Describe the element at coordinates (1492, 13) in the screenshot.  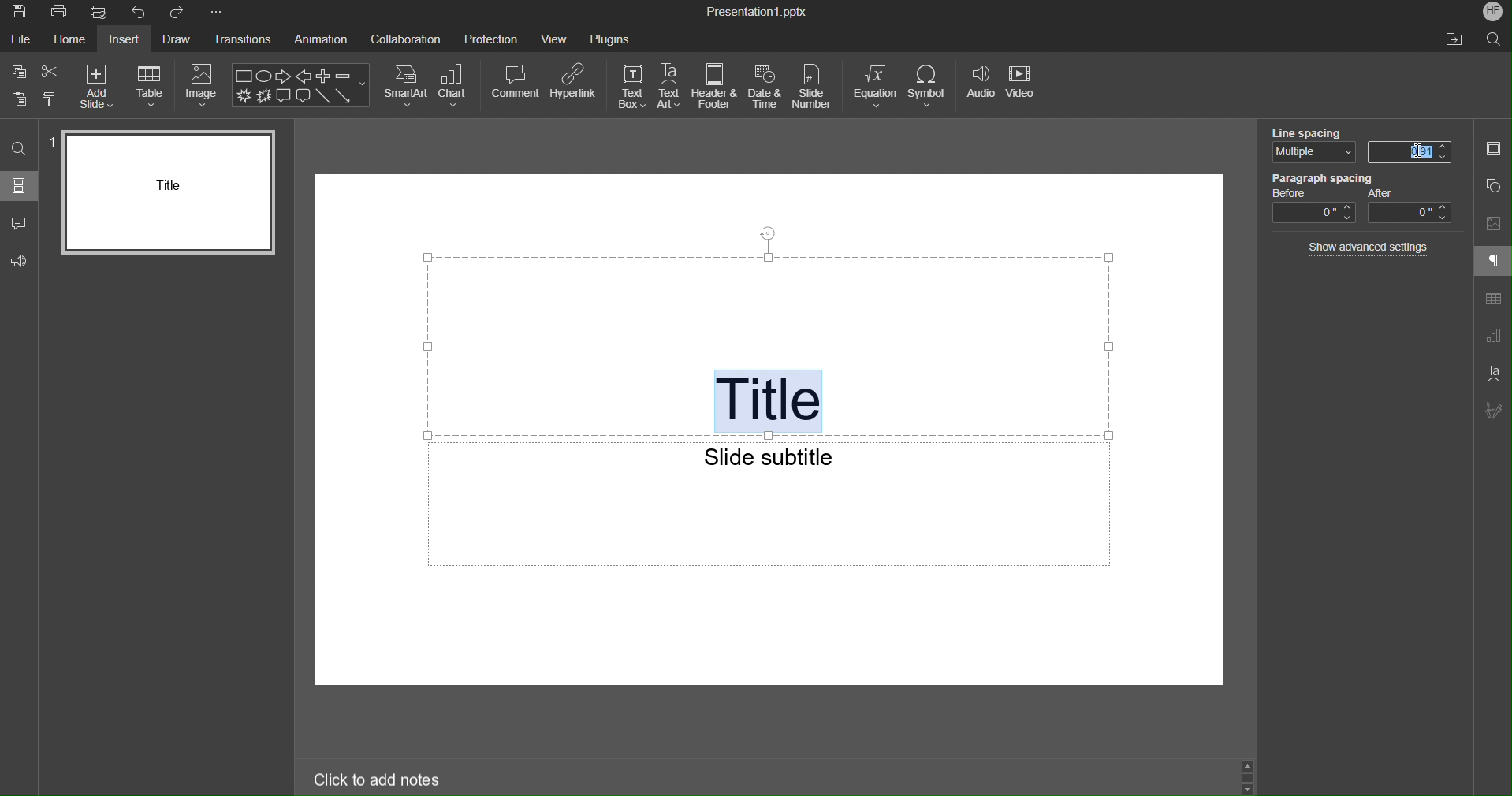
I see `HF` at that location.